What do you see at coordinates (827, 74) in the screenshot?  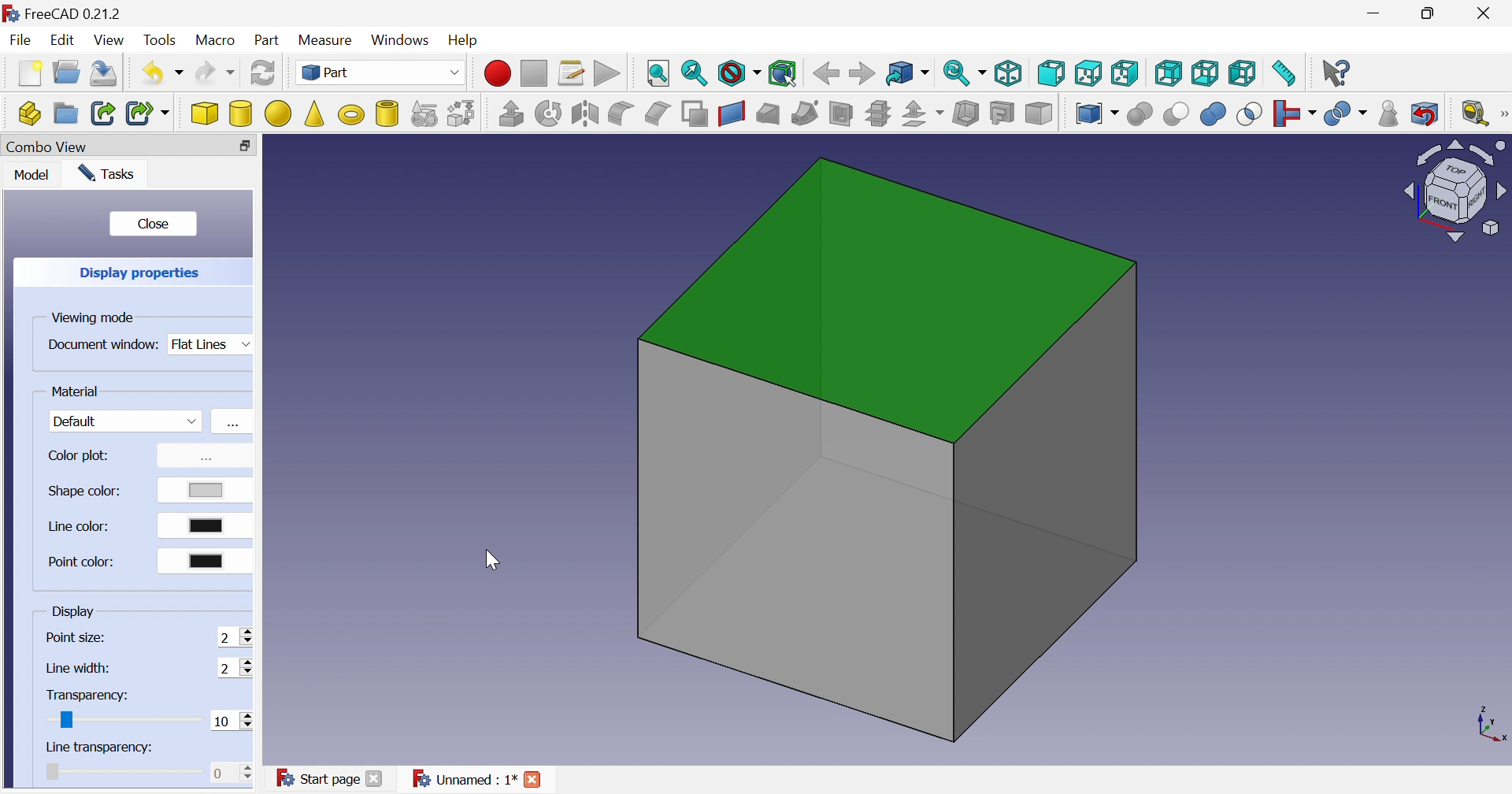 I see `Back` at bounding box center [827, 74].